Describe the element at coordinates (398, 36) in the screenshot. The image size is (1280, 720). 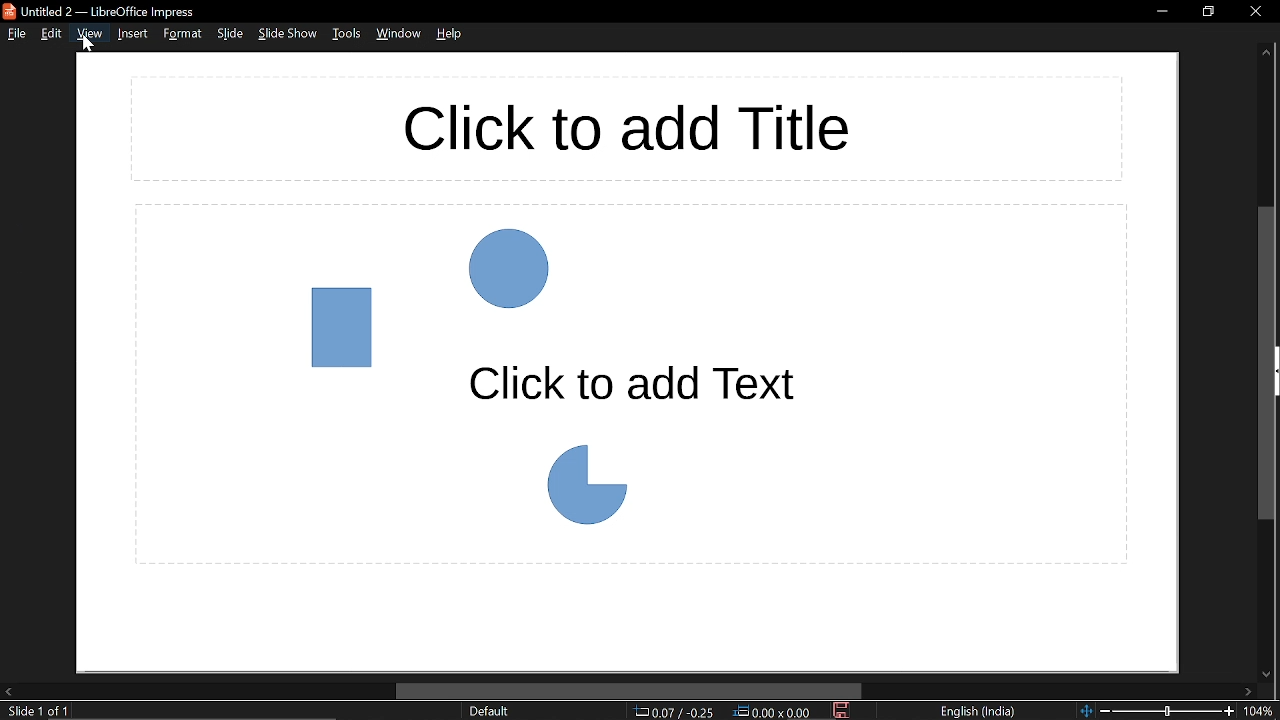
I see `Window` at that location.